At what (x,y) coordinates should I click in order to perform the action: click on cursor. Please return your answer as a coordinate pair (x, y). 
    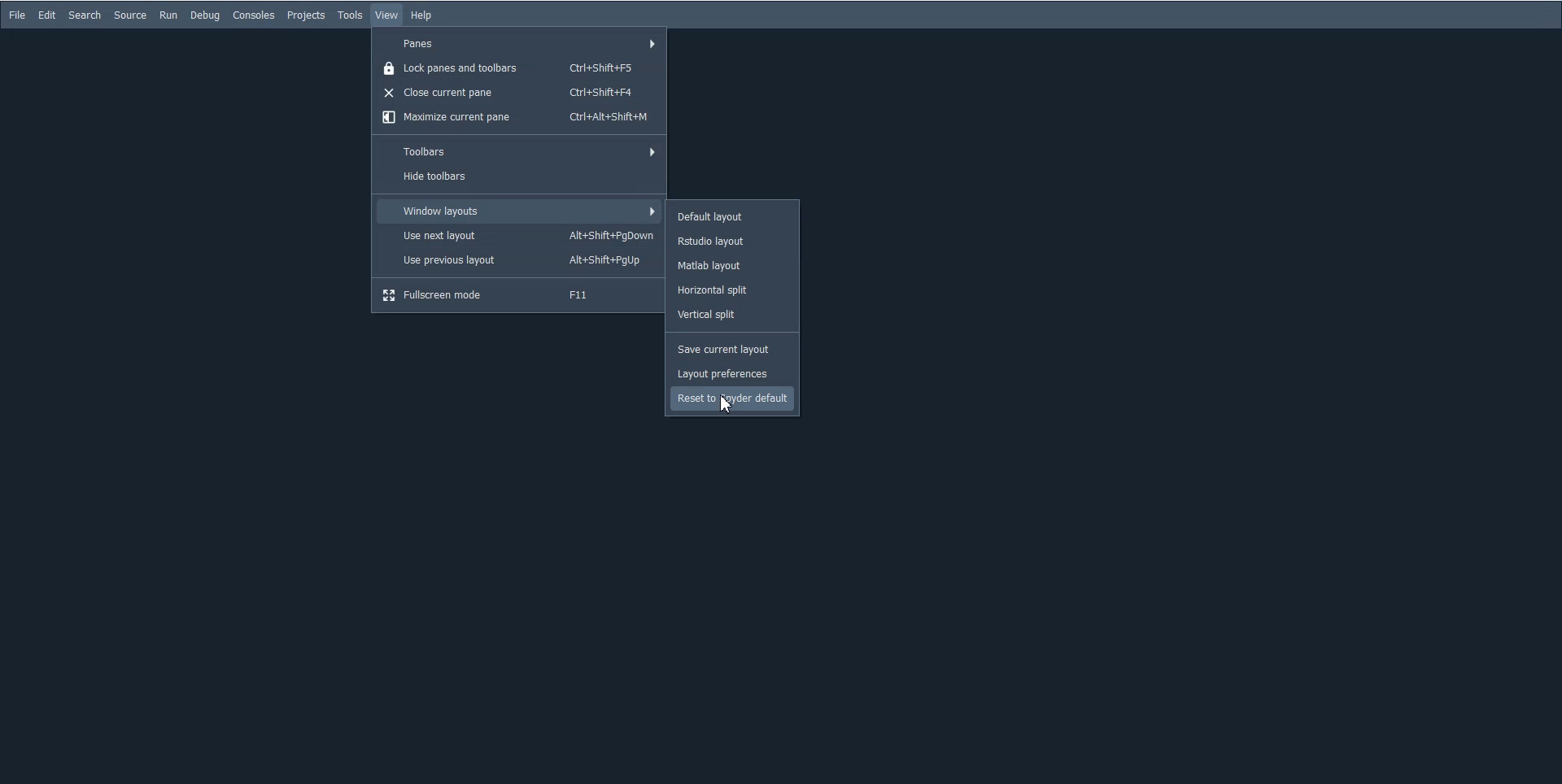
    Looking at the image, I should click on (726, 405).